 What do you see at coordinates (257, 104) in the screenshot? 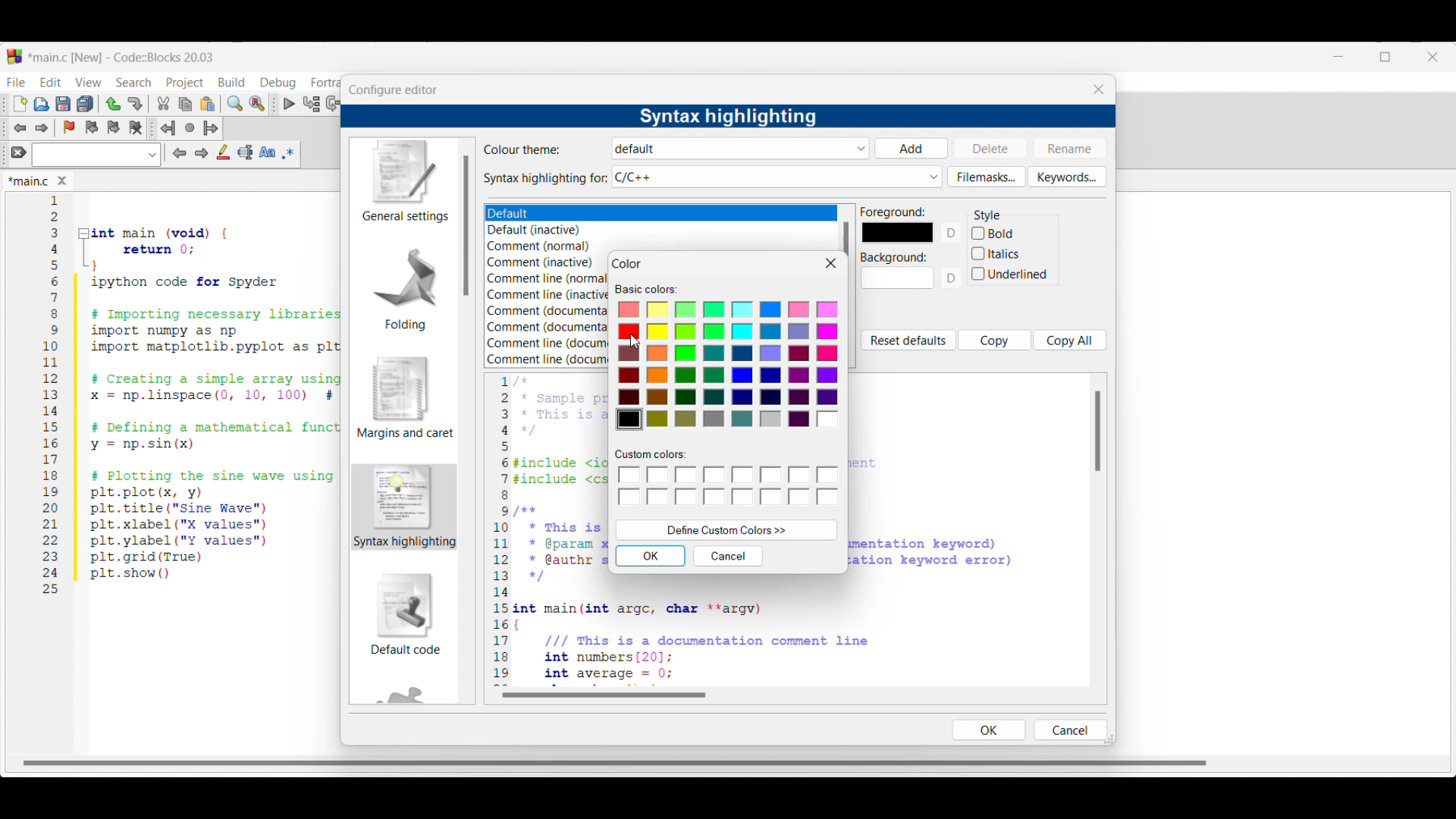
I see `Replace` at bounding box center [257, 104].